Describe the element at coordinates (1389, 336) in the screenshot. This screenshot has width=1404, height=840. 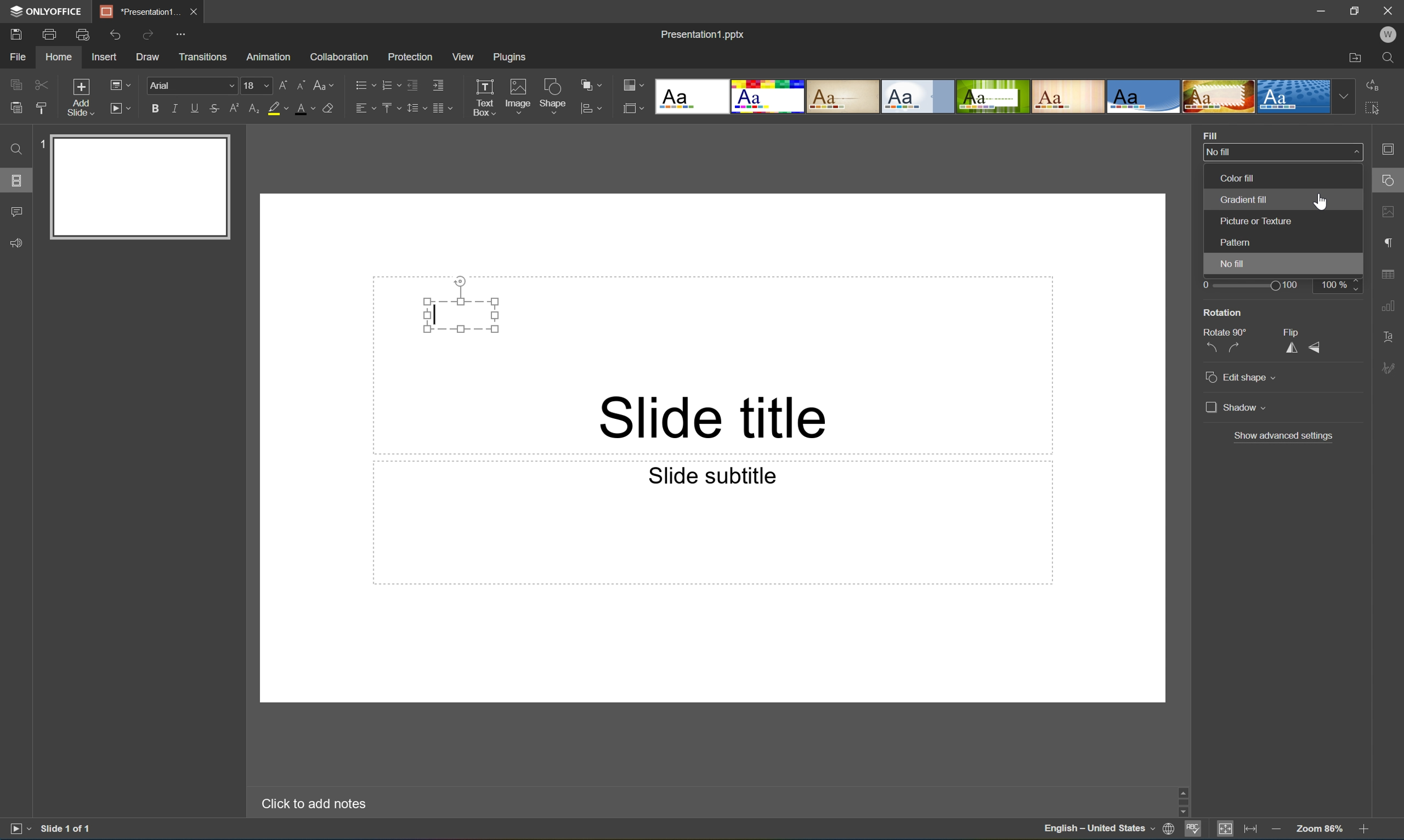
I see `Text Art settings` at that location.